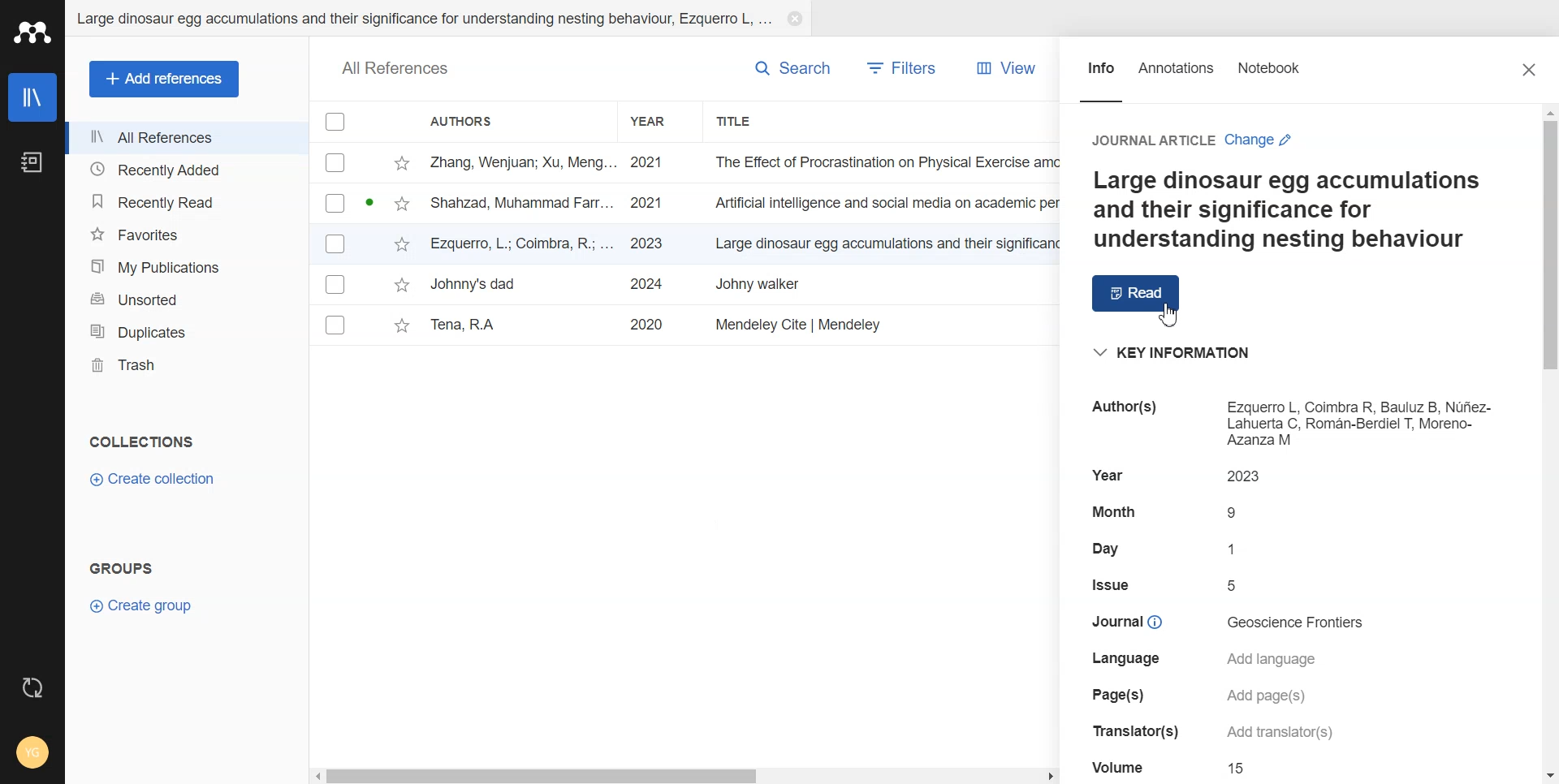 This screenshot has height=784, width=1559. Describe the element at coordinates (336, 121) in the screenshot. I see `Checkbox` at that location.